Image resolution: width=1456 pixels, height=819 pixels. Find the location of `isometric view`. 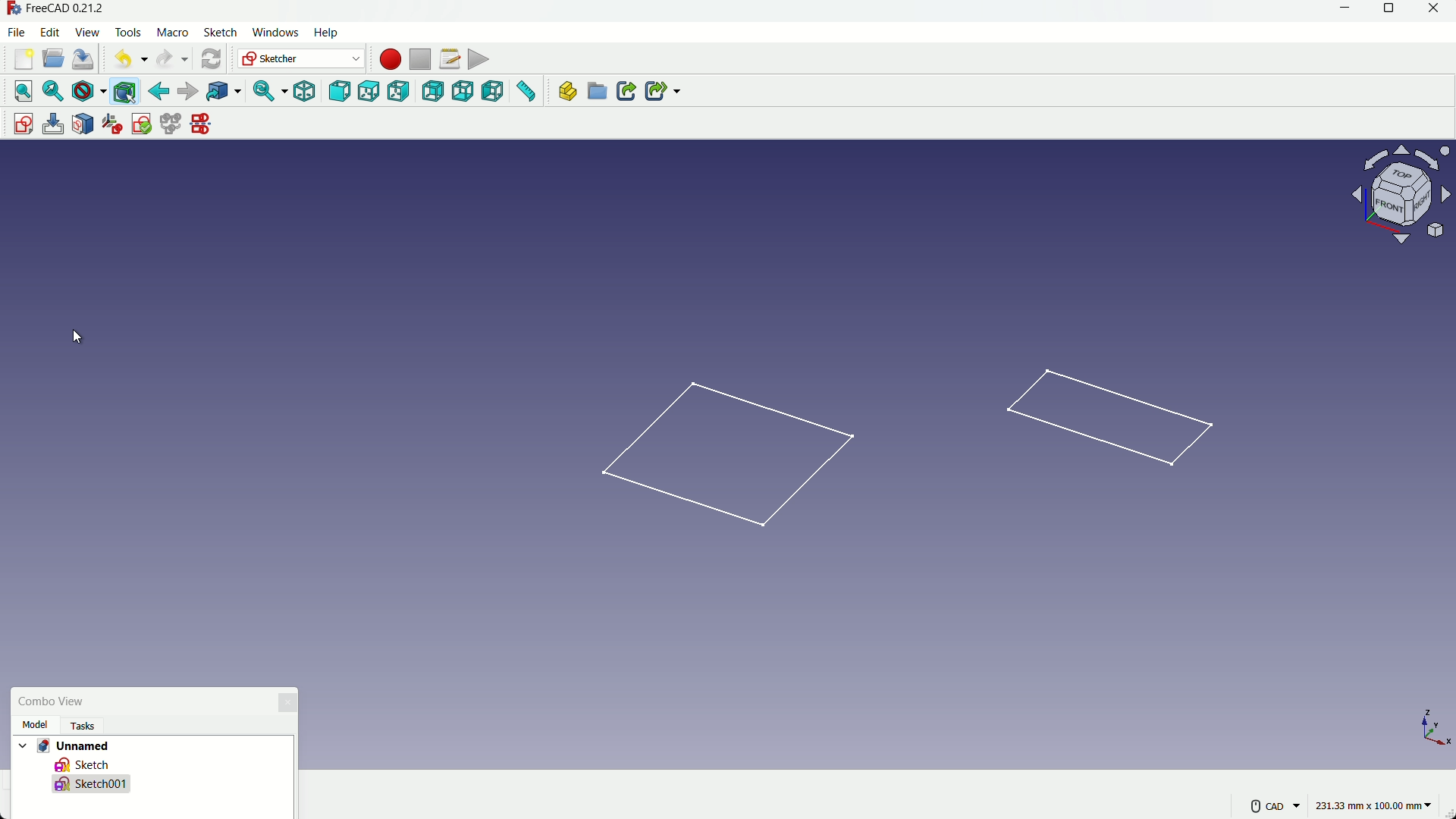

isometric view is located at coordinates (305, 92).